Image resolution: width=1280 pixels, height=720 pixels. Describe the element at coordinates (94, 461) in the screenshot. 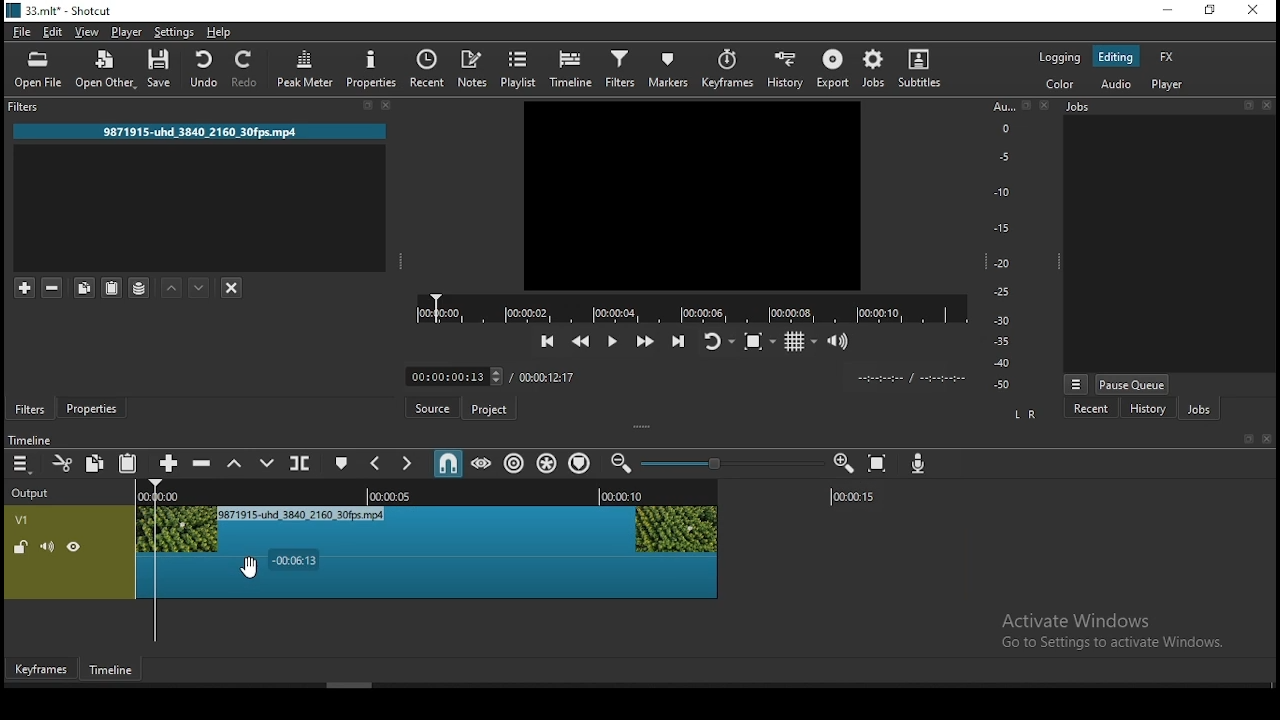

I see `copy` at that location.